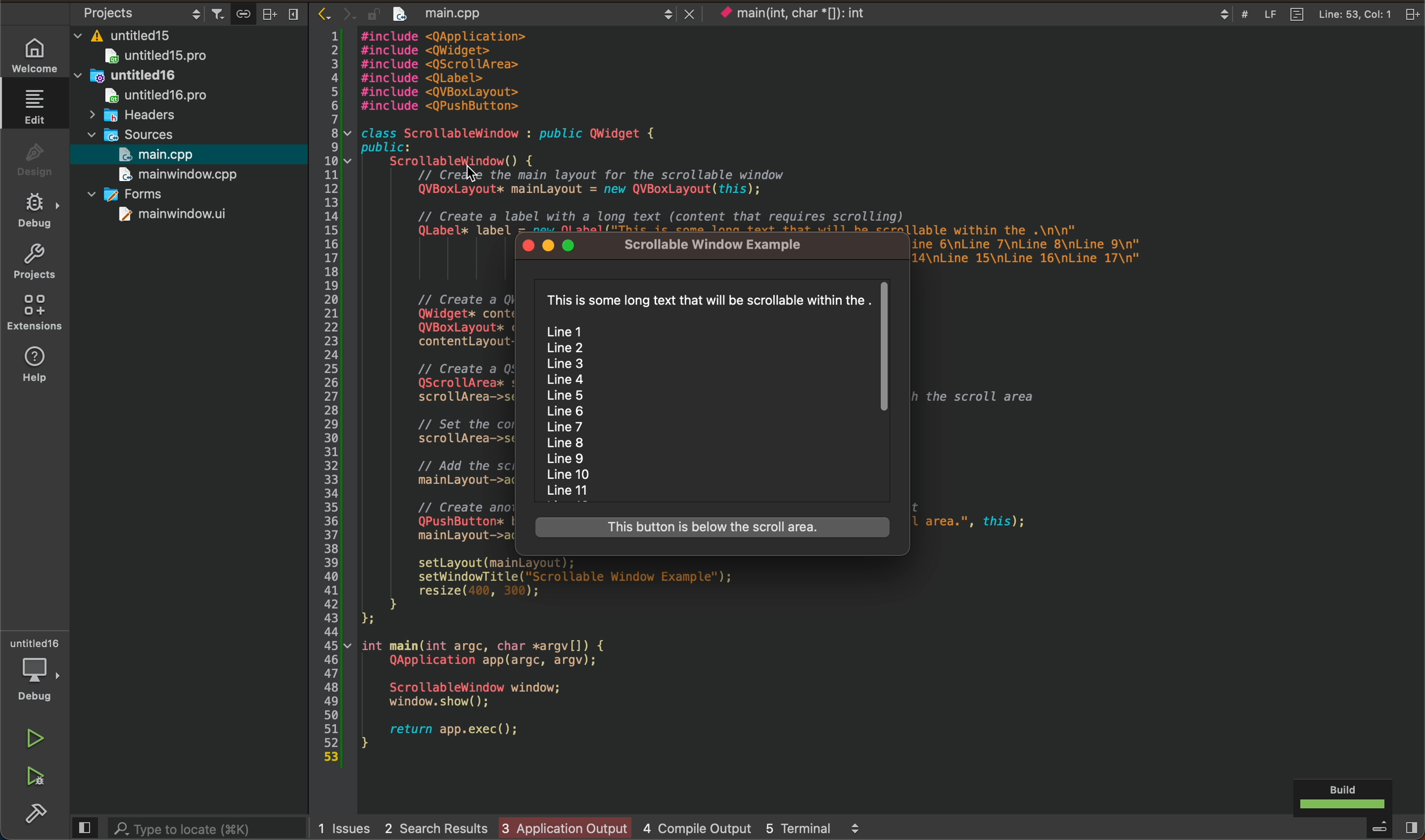  Describe the element at coordinates (159, 95) in the screenshot. I see `untitled16pro` at that location.